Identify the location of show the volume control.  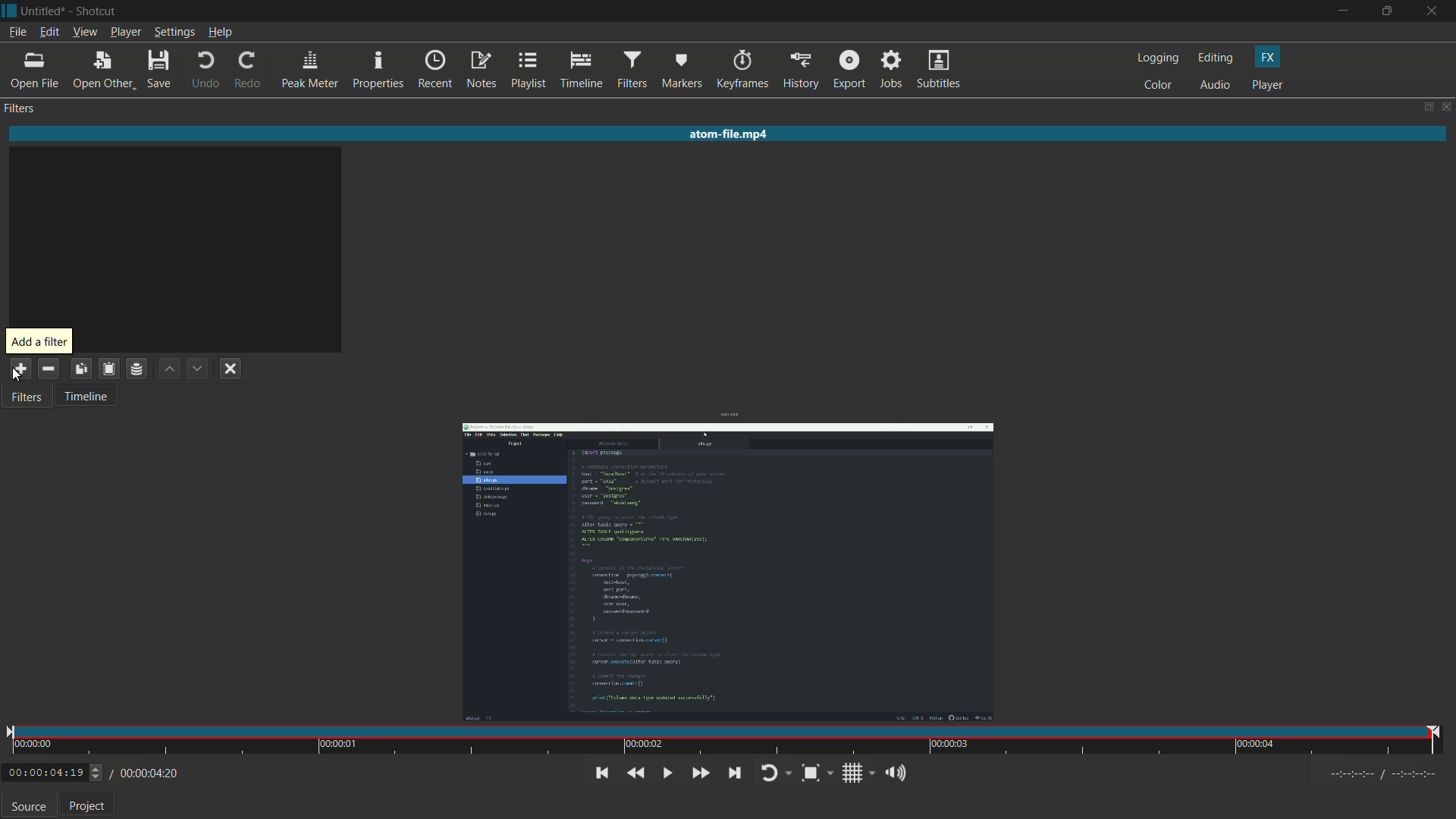
(899, 773).